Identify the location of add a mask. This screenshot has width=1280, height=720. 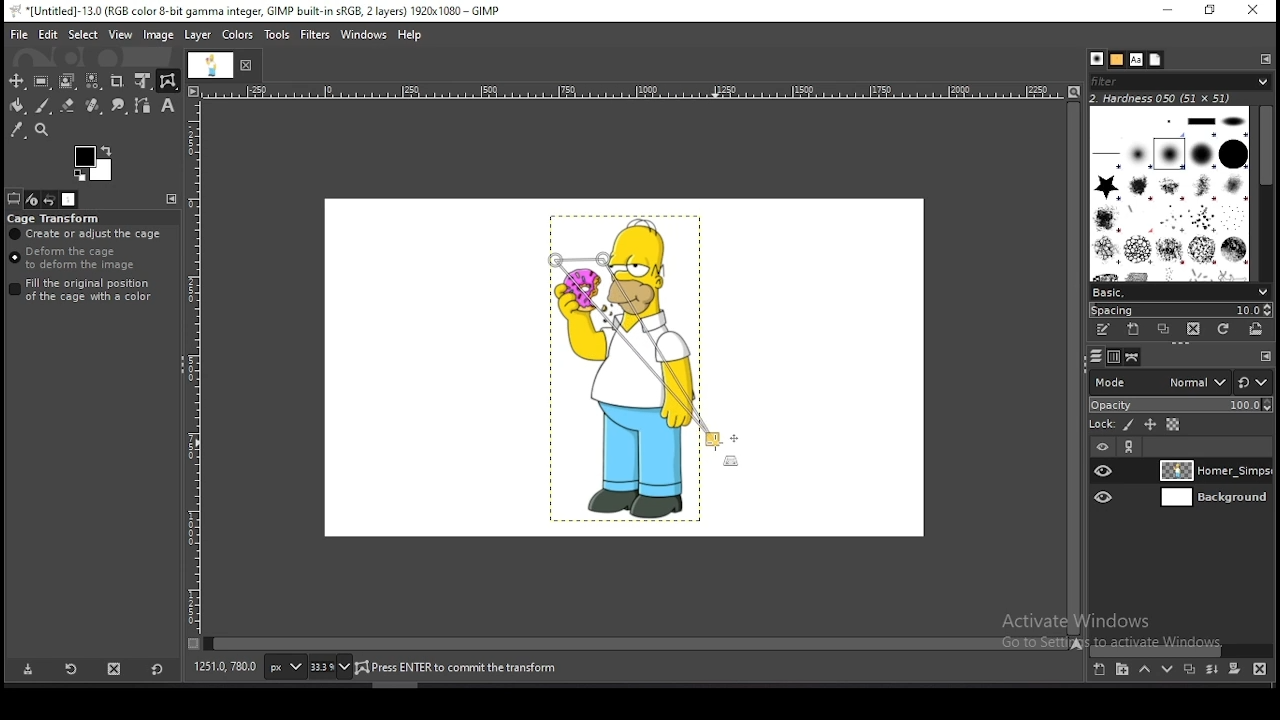
(1232, 669).